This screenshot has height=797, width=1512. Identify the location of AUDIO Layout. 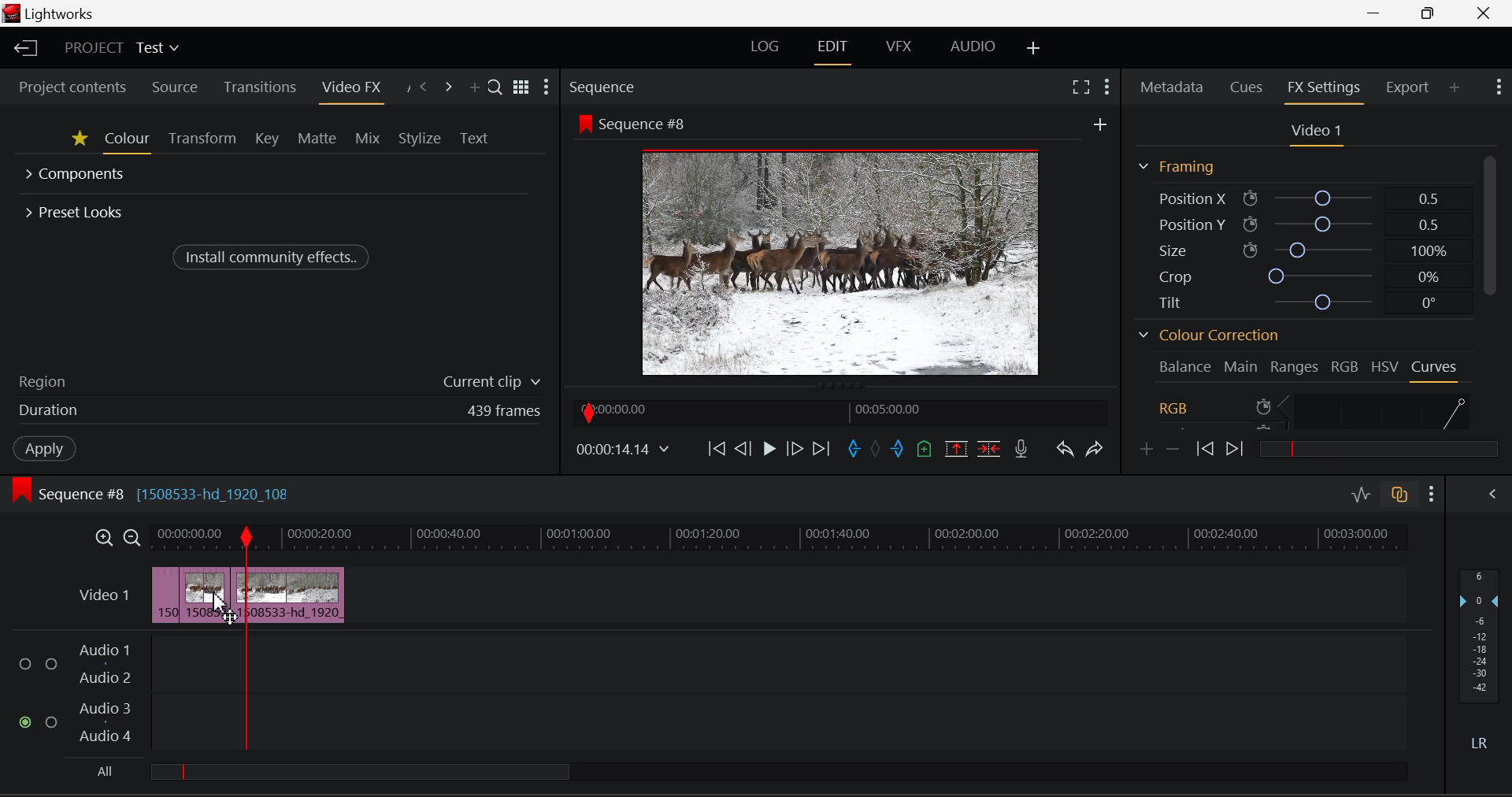
(975, 46).